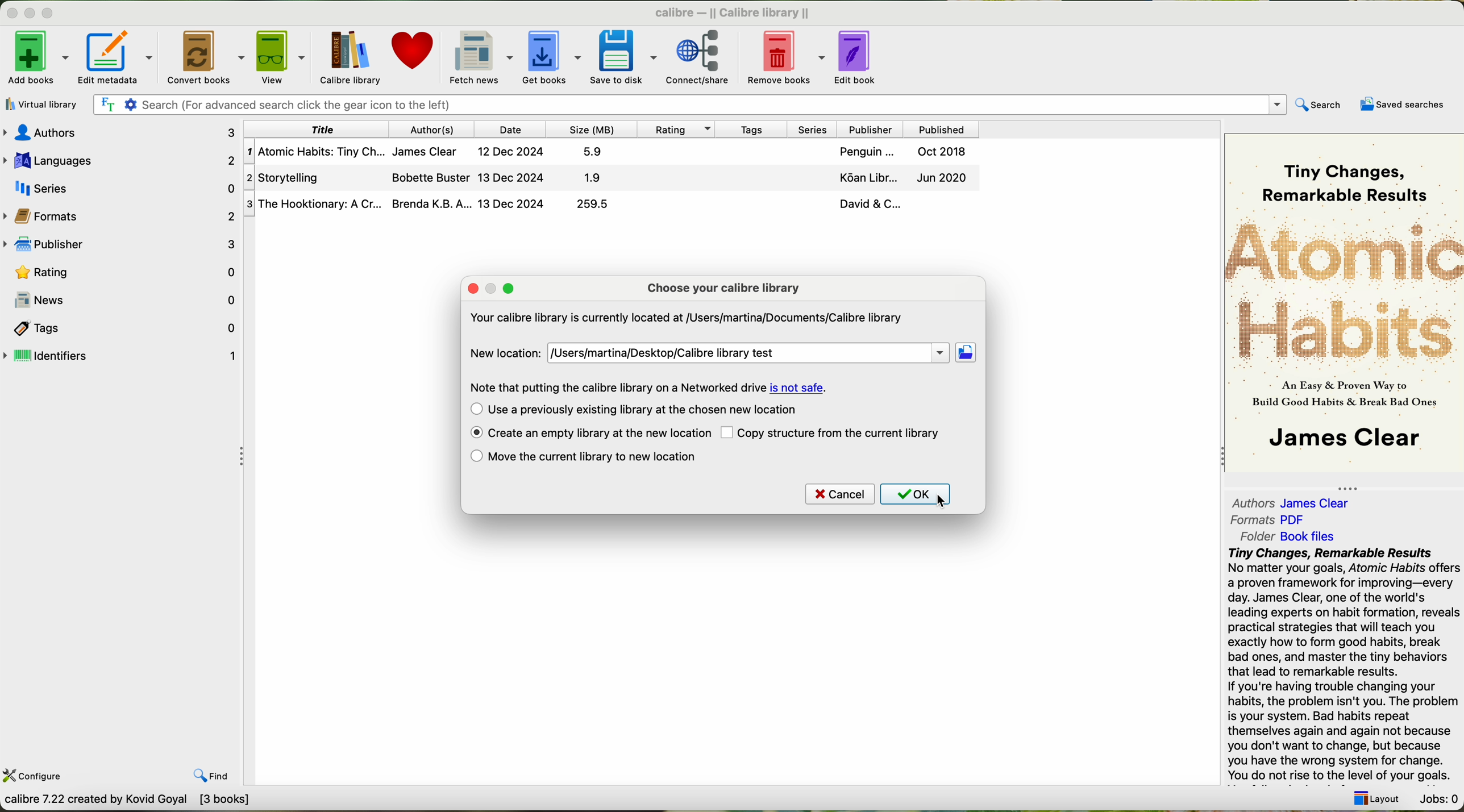 The height and width of the screenshot is (812, 1464). What do you see at coordinates (32, 14) in the screenshot?
I see `minimize program` at bounding box center [32, 14].